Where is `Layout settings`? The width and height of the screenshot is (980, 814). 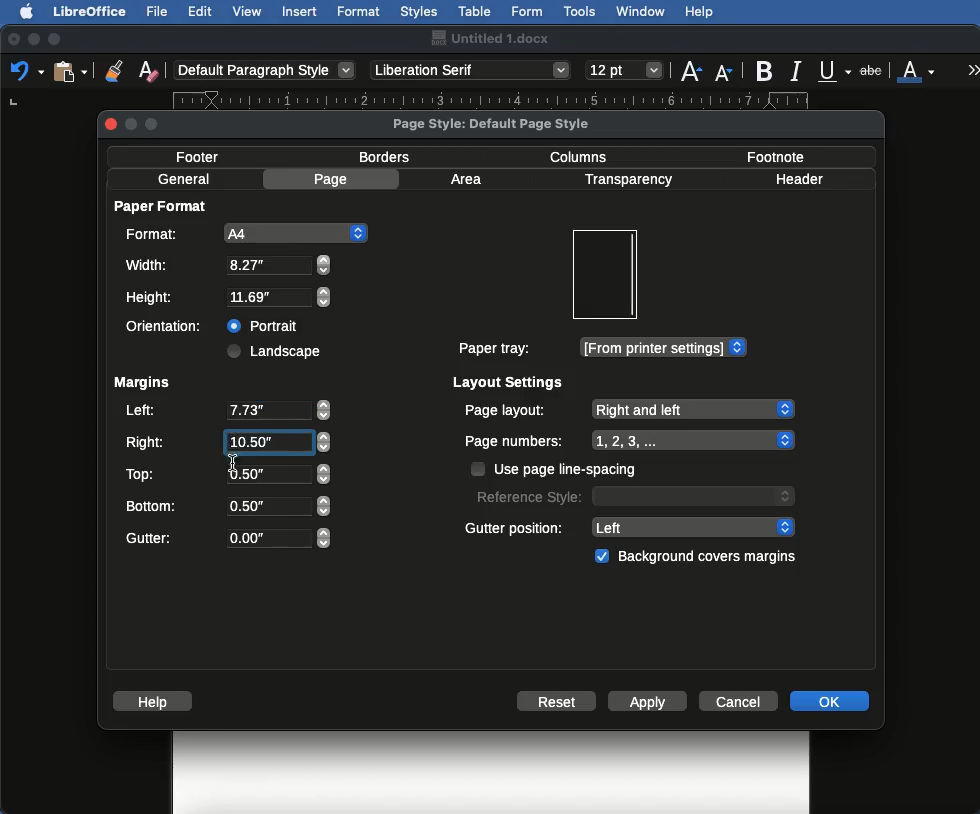 Layout settings is located at coordinates (509, 382).